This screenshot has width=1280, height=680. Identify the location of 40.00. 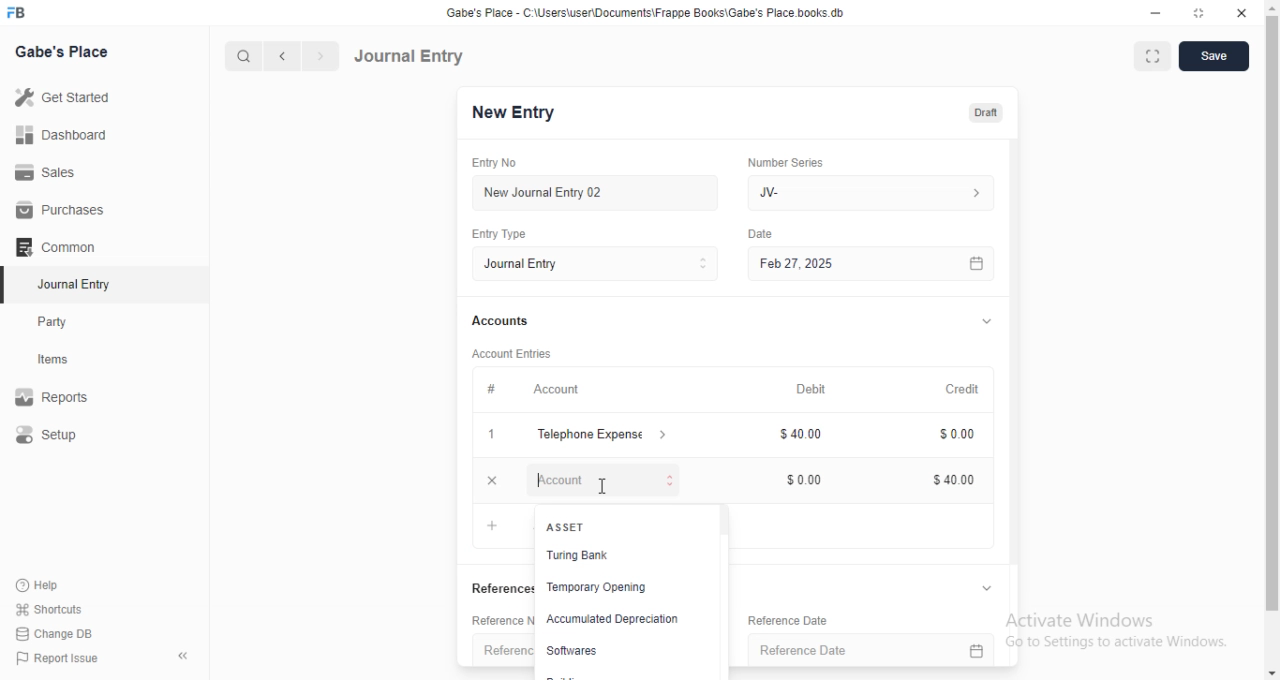
(953, 482).